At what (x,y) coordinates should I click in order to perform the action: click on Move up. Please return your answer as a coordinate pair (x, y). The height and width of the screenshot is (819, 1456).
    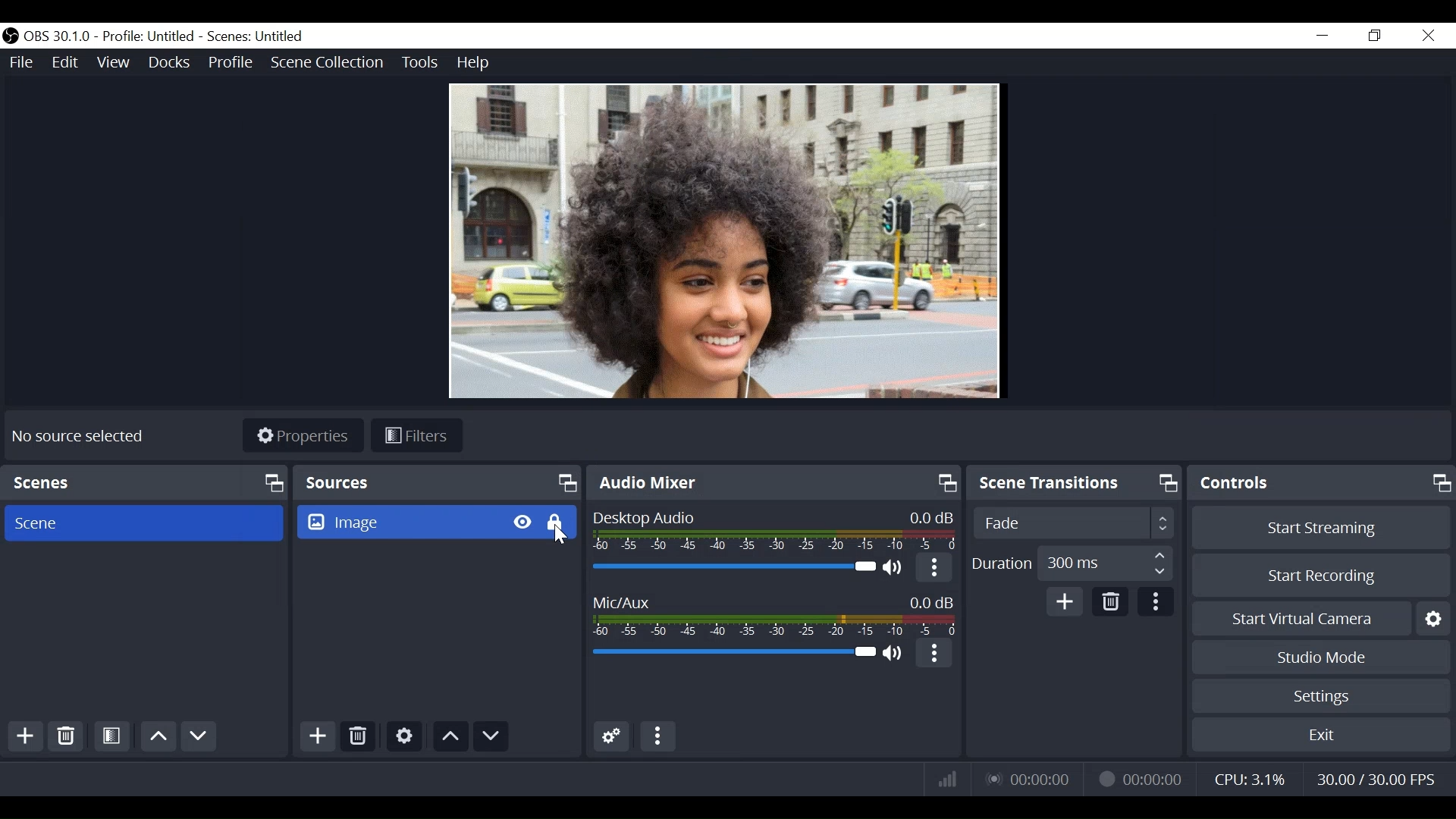
    Looking at the image, I should click on (451, 738).